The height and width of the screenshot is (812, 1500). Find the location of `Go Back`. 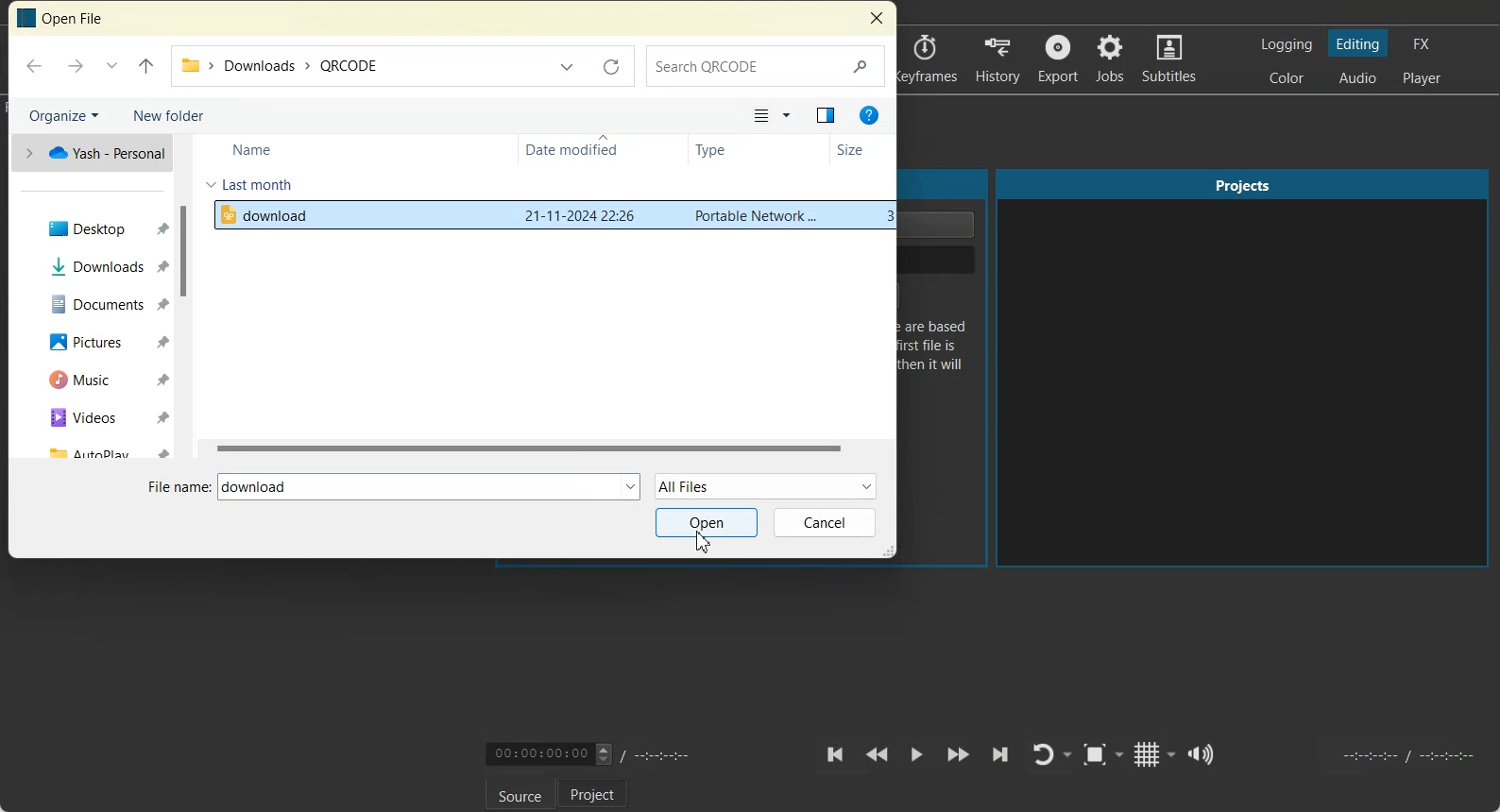

Go Back is located at coordinates (36, 65).